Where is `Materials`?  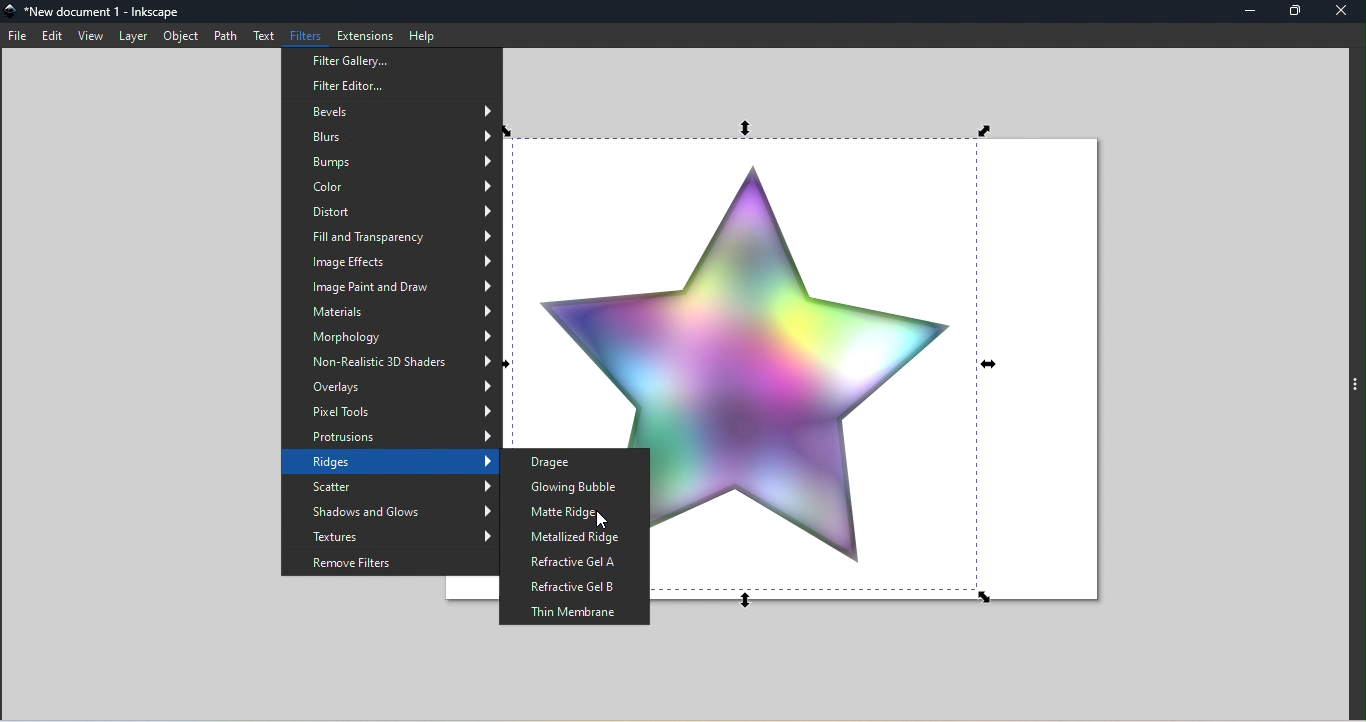
Materials is located at coordinates (389, 311).